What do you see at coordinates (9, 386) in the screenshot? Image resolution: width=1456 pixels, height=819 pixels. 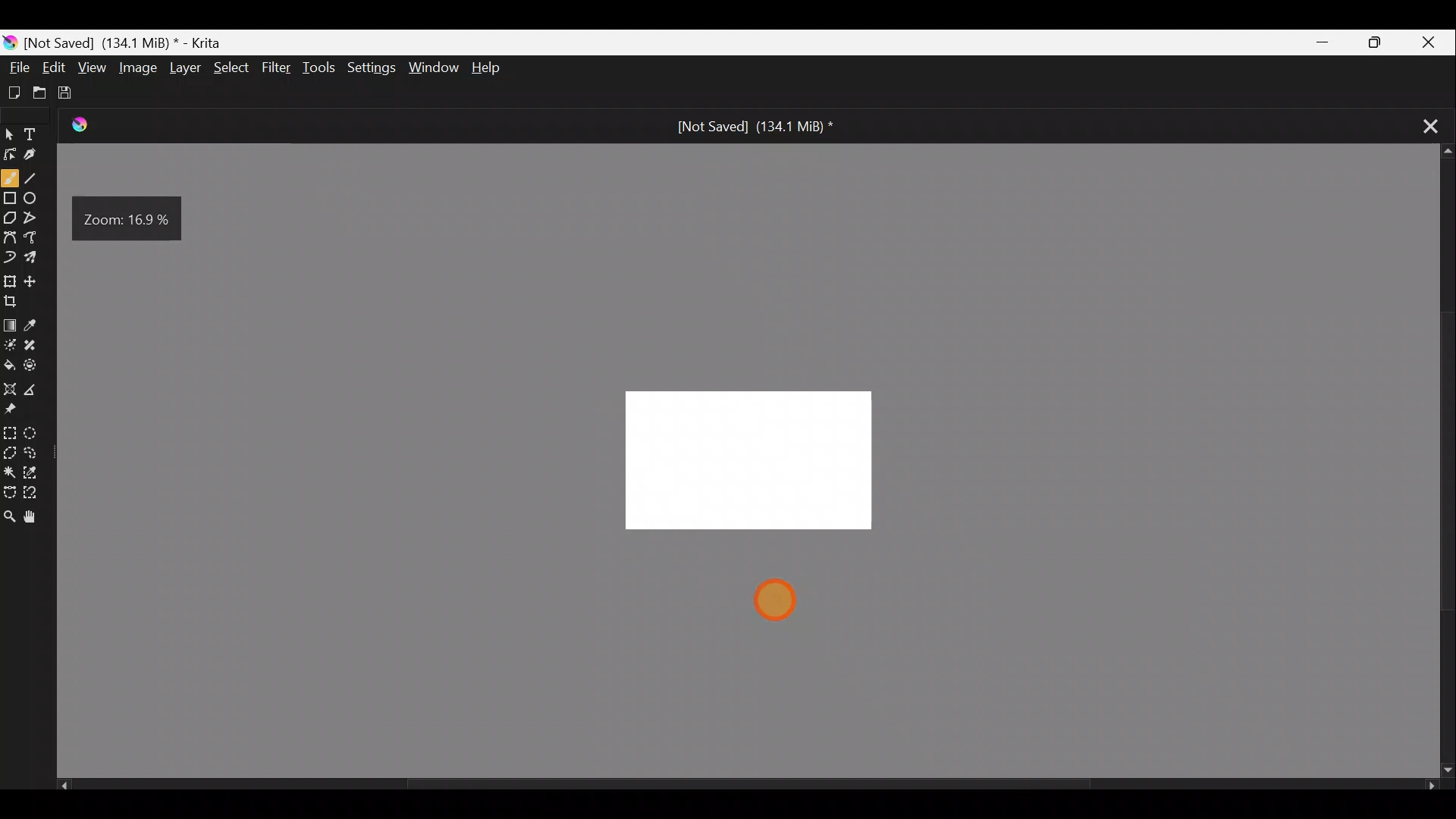 I see `Assistant tool` at bounding box center [9, 386].